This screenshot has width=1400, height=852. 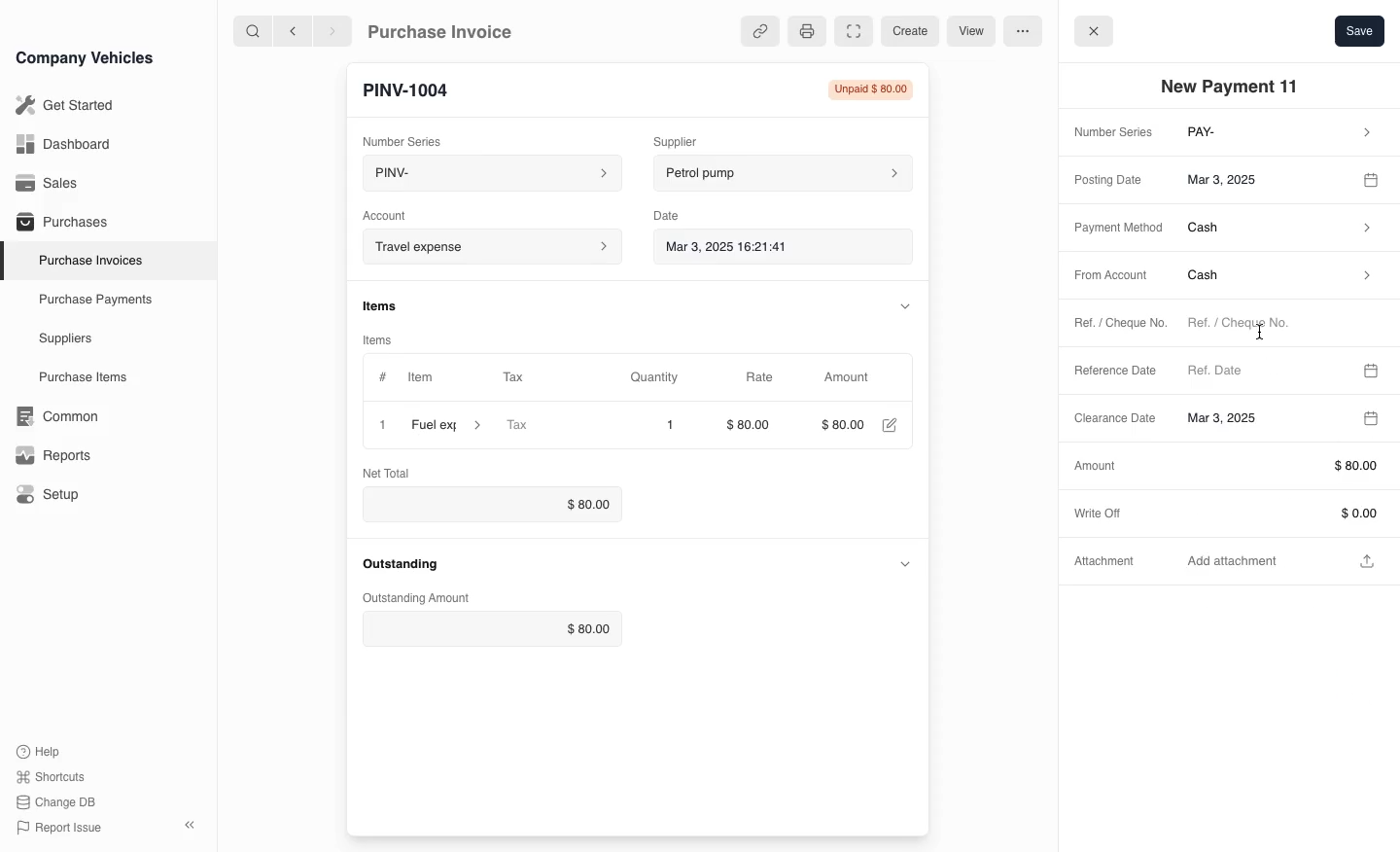 What do you see at coordinates (530, 378) in the screenshot?
I see `Tax` at bounding box center [530, 378].